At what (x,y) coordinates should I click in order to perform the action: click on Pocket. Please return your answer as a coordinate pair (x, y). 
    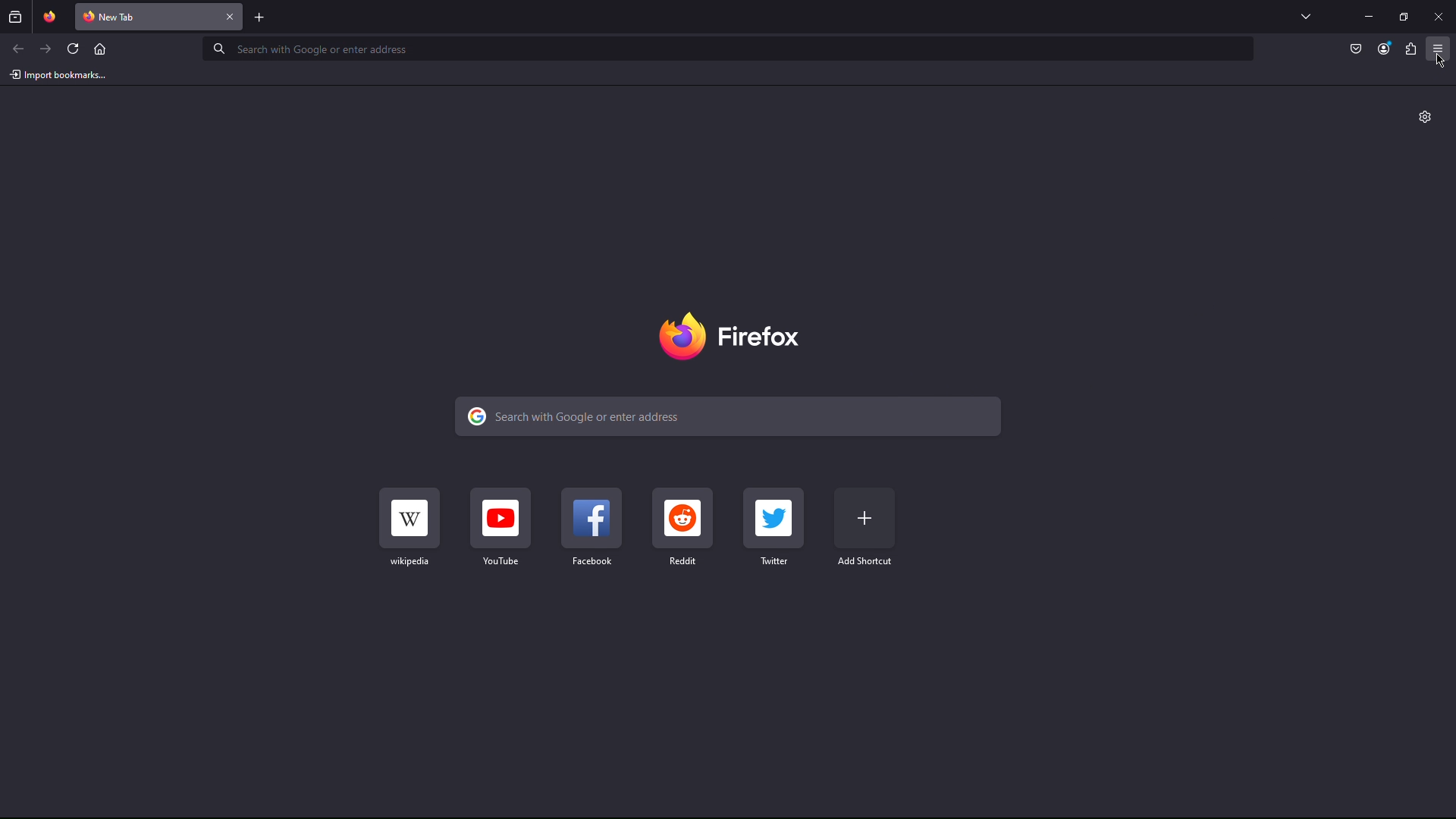
    Looking at the image, I should click on (1357, 50).